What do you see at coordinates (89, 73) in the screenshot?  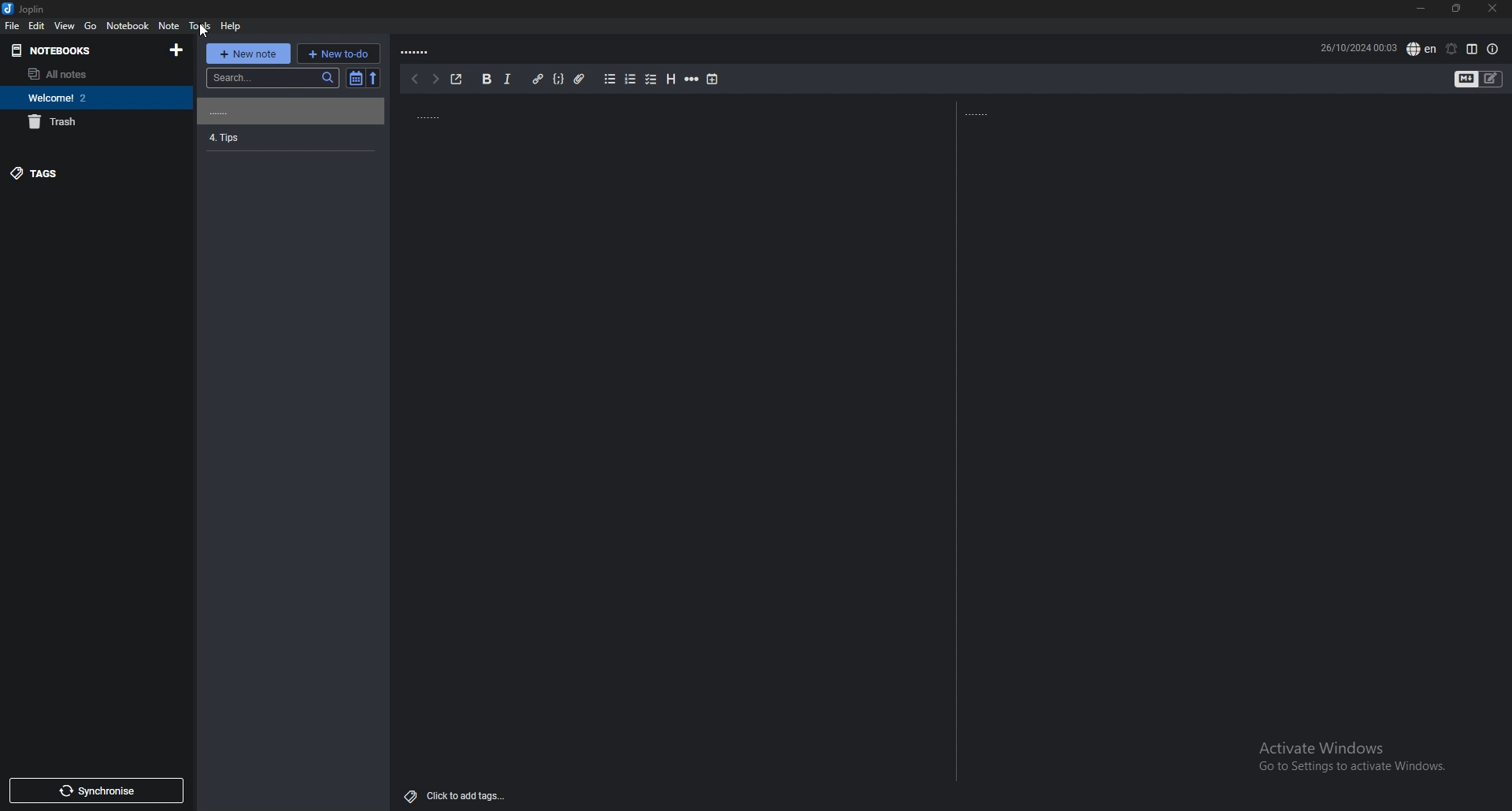 I see `all notes` at bounding box center [89, 73].